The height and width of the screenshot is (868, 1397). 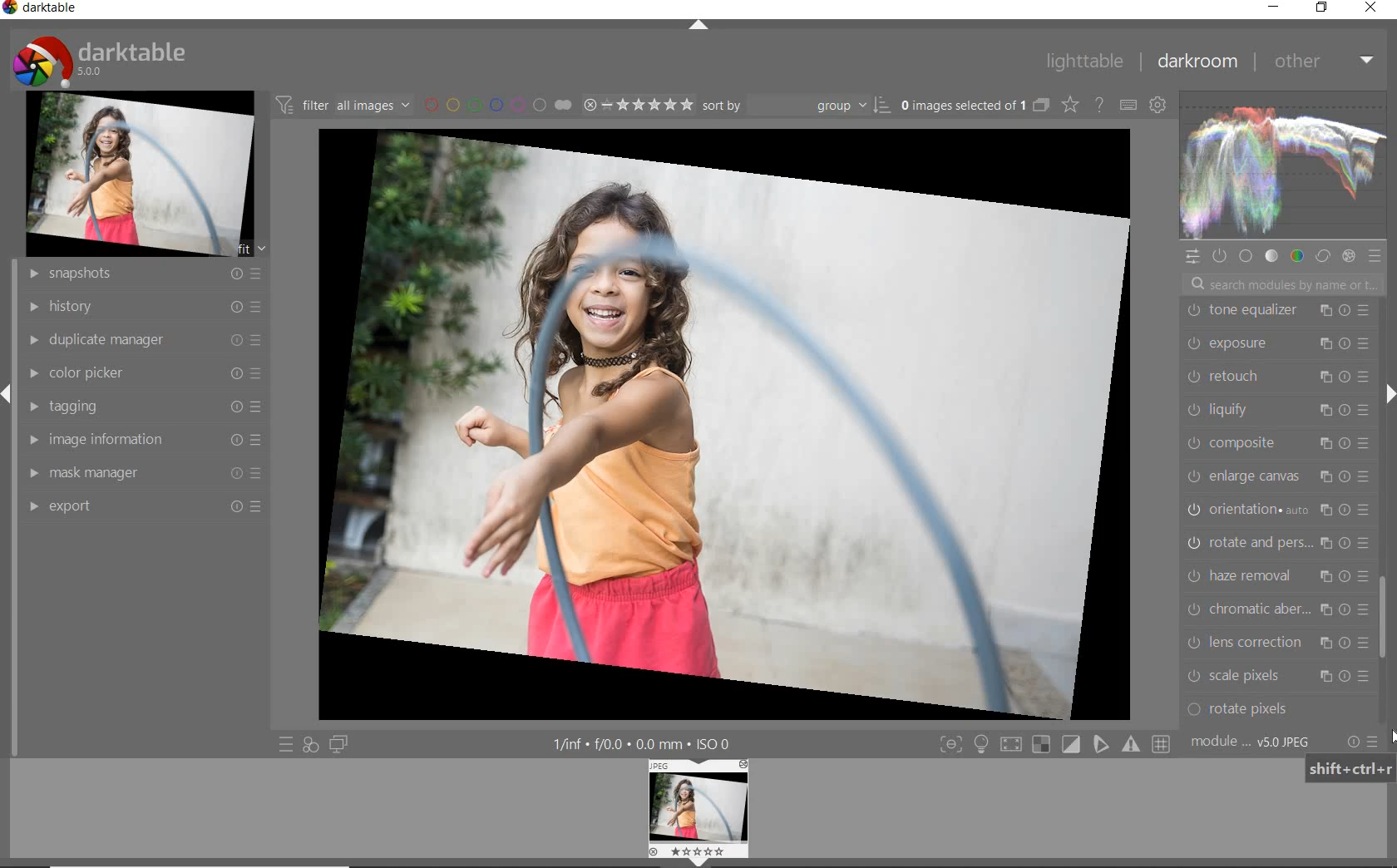 What do you see at coordinates (140, 175) in the screenshot?
I see `image` at bounding box center [140, 175].